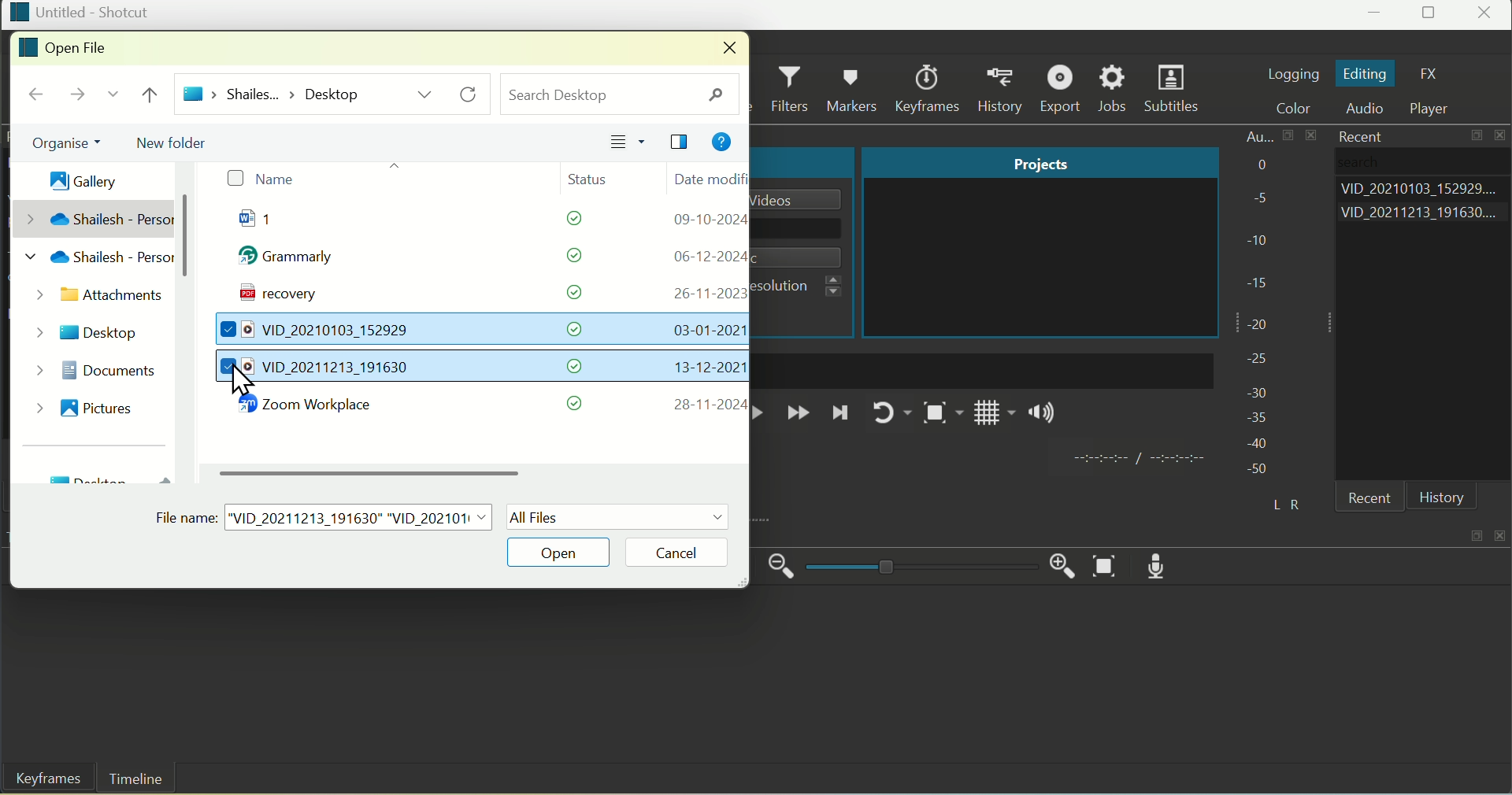  I want to click on shailesh personal, so click(94, 261).